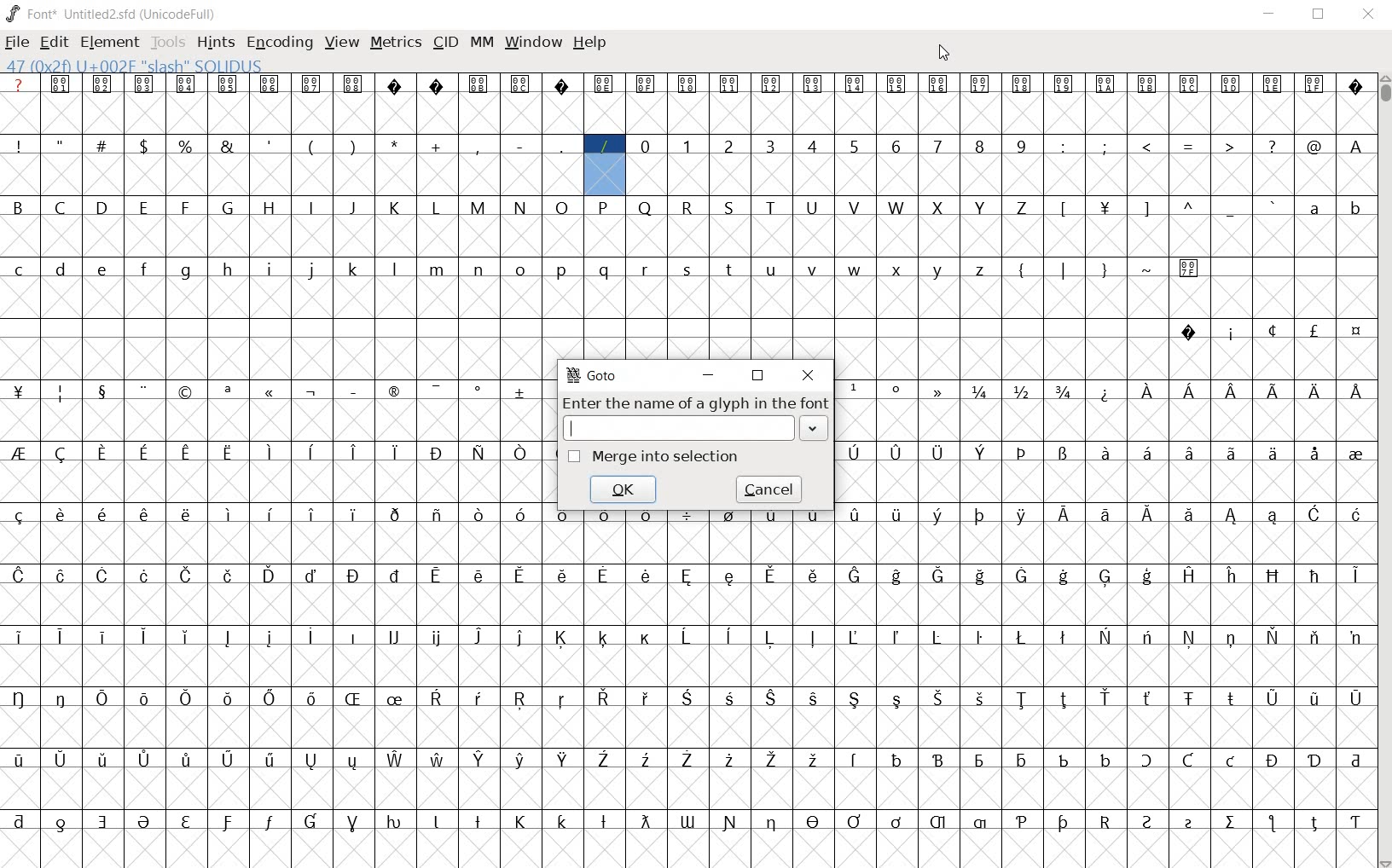 The width and height of the screenshot is (1392, 868). Describe the element at coordinates (393, 269) in the screenshot. I see `glyph` at that location.